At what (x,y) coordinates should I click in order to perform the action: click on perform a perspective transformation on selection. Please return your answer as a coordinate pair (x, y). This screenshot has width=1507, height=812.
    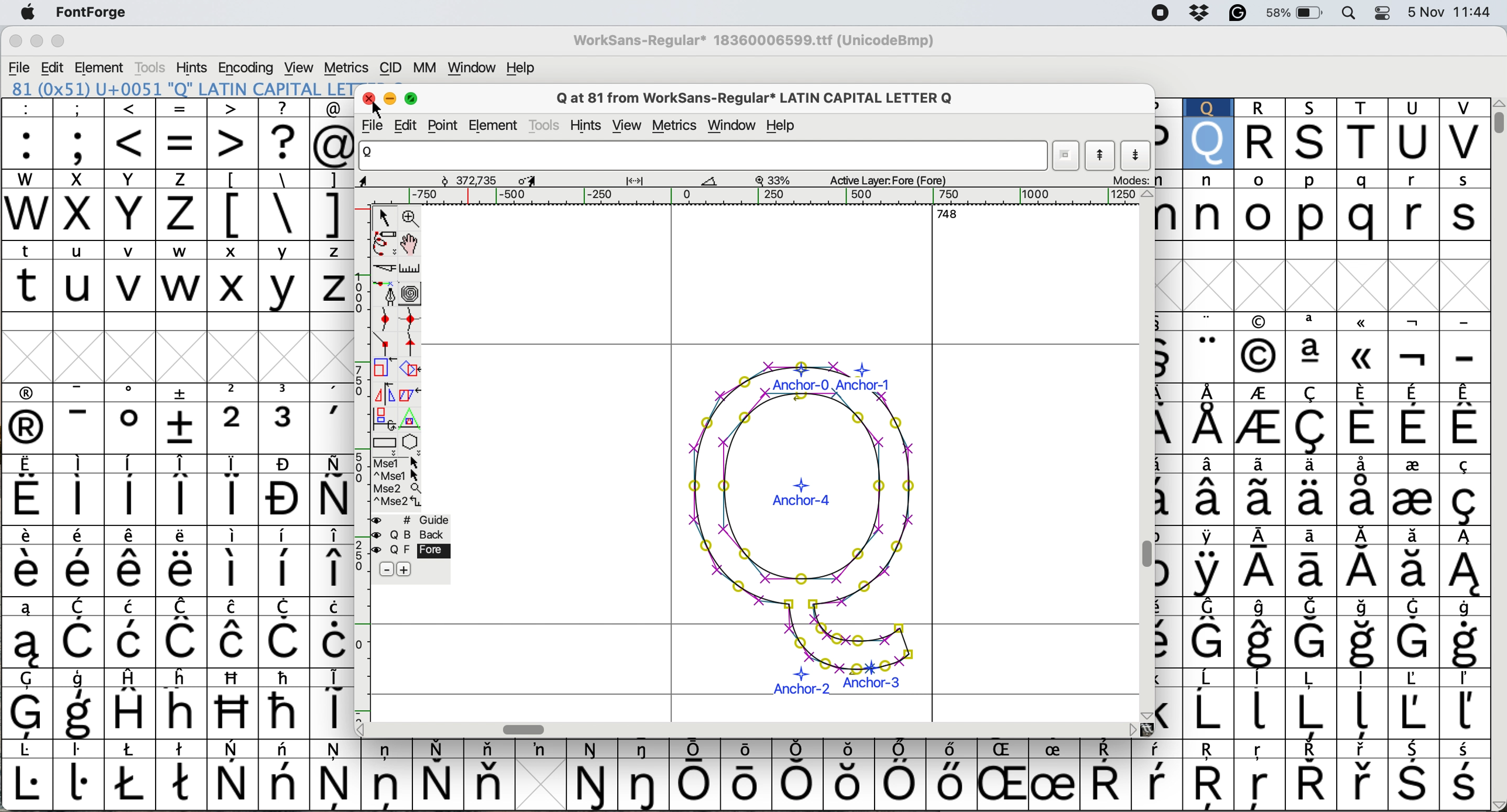
    Looking at the image, I should click on (413, 419).